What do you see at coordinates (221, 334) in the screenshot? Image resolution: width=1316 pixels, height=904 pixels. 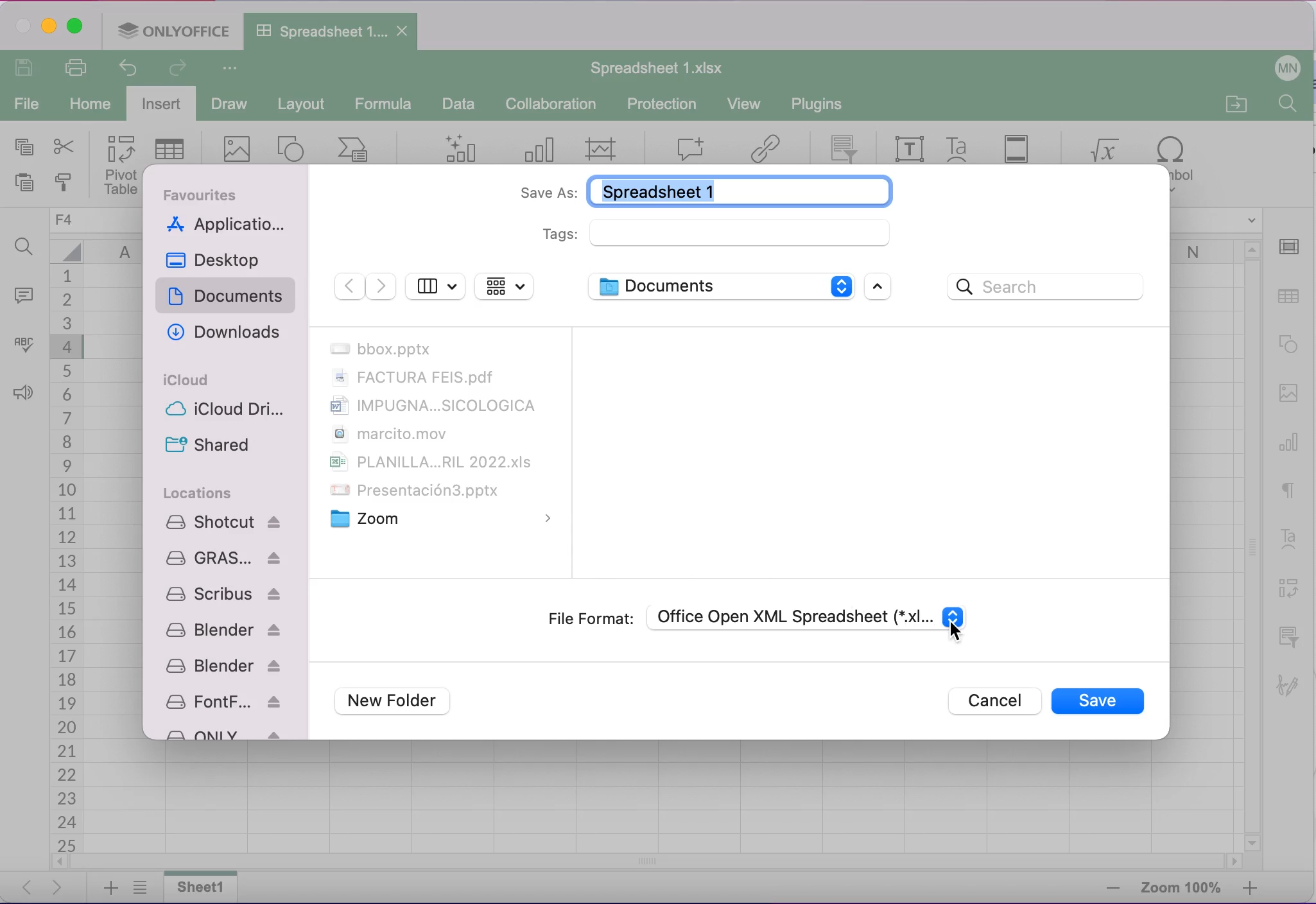 I see `downloads` at bounding box center [221, 334].